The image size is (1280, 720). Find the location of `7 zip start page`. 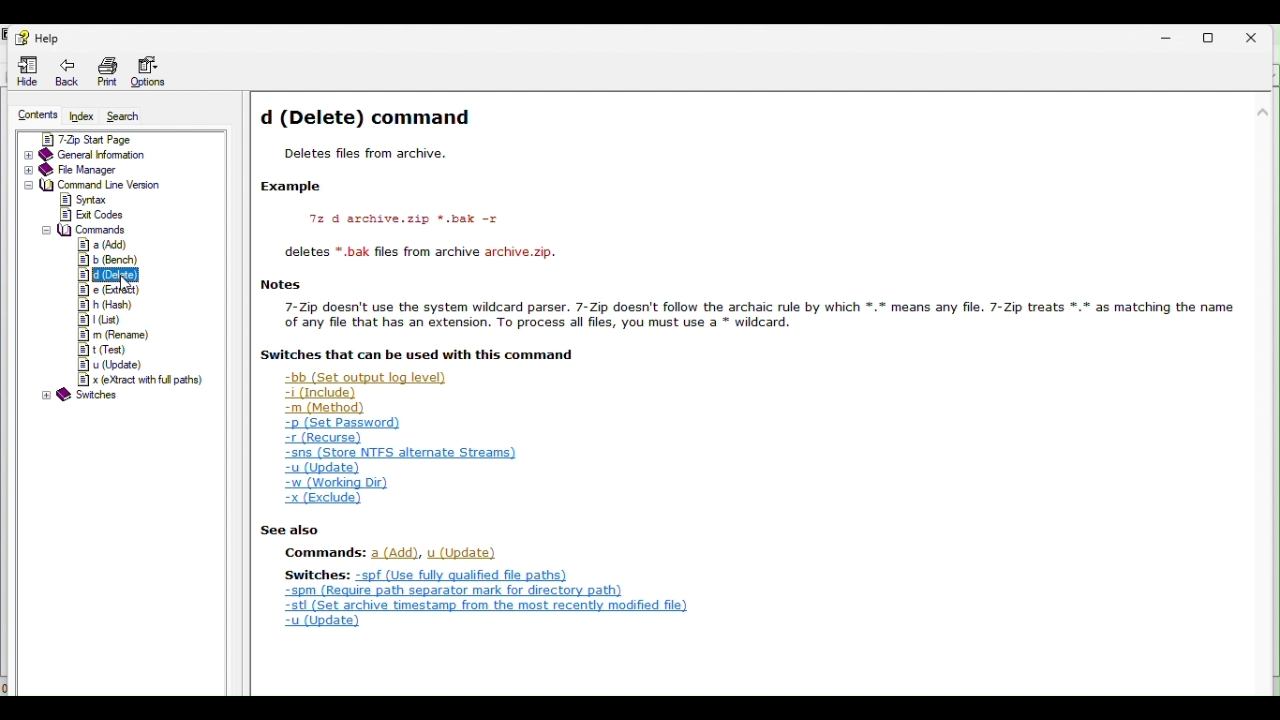

7 zip start page is located at coordinates (103, 137).